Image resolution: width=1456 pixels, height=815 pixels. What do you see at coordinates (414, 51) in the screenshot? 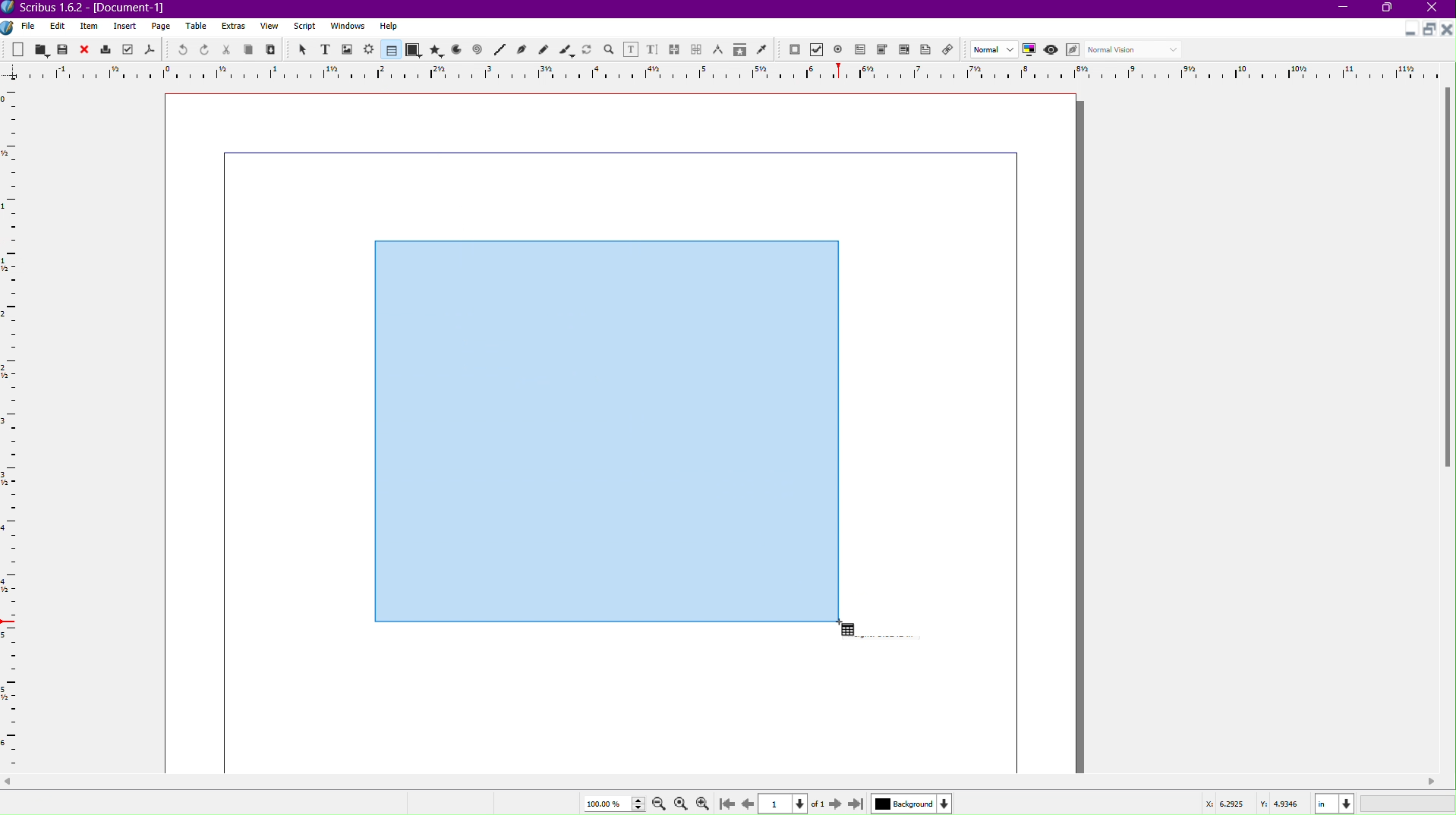
I see `Shape` at bounding box center [414, 51].